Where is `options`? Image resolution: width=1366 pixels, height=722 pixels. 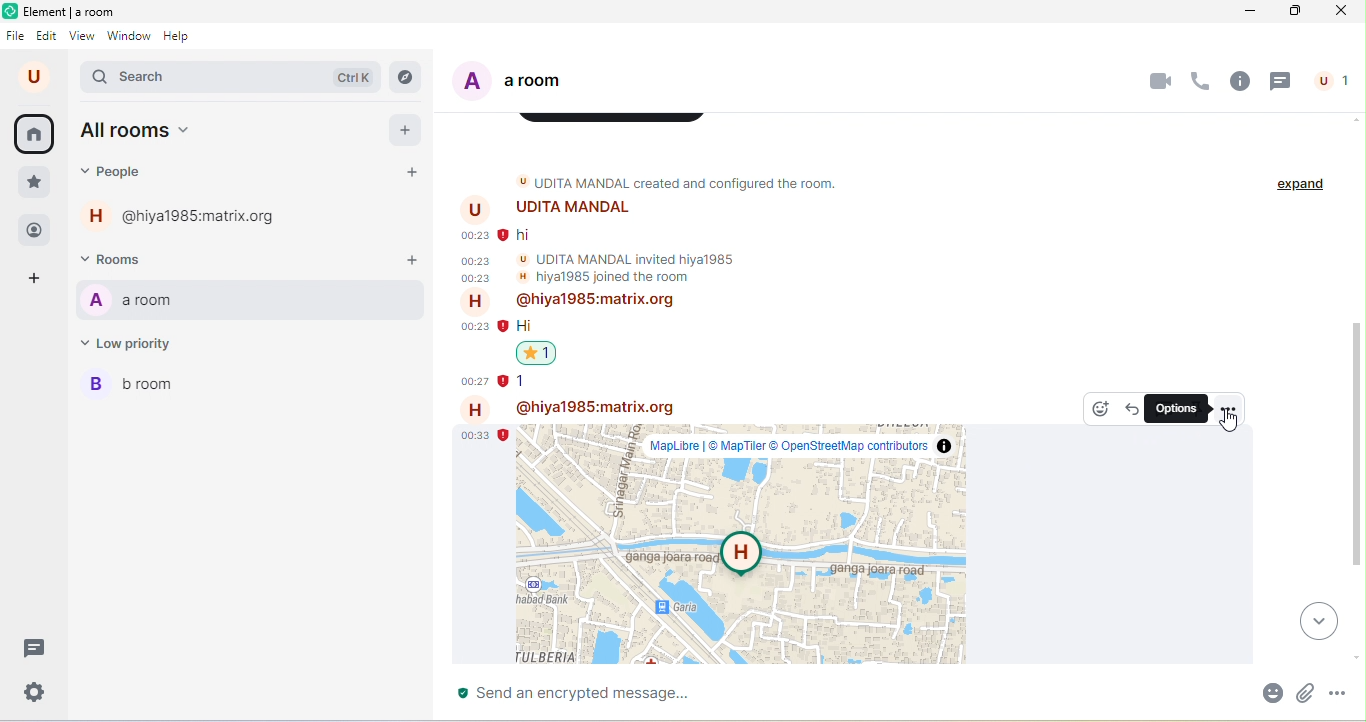 options is located at coordinates (382, 298).